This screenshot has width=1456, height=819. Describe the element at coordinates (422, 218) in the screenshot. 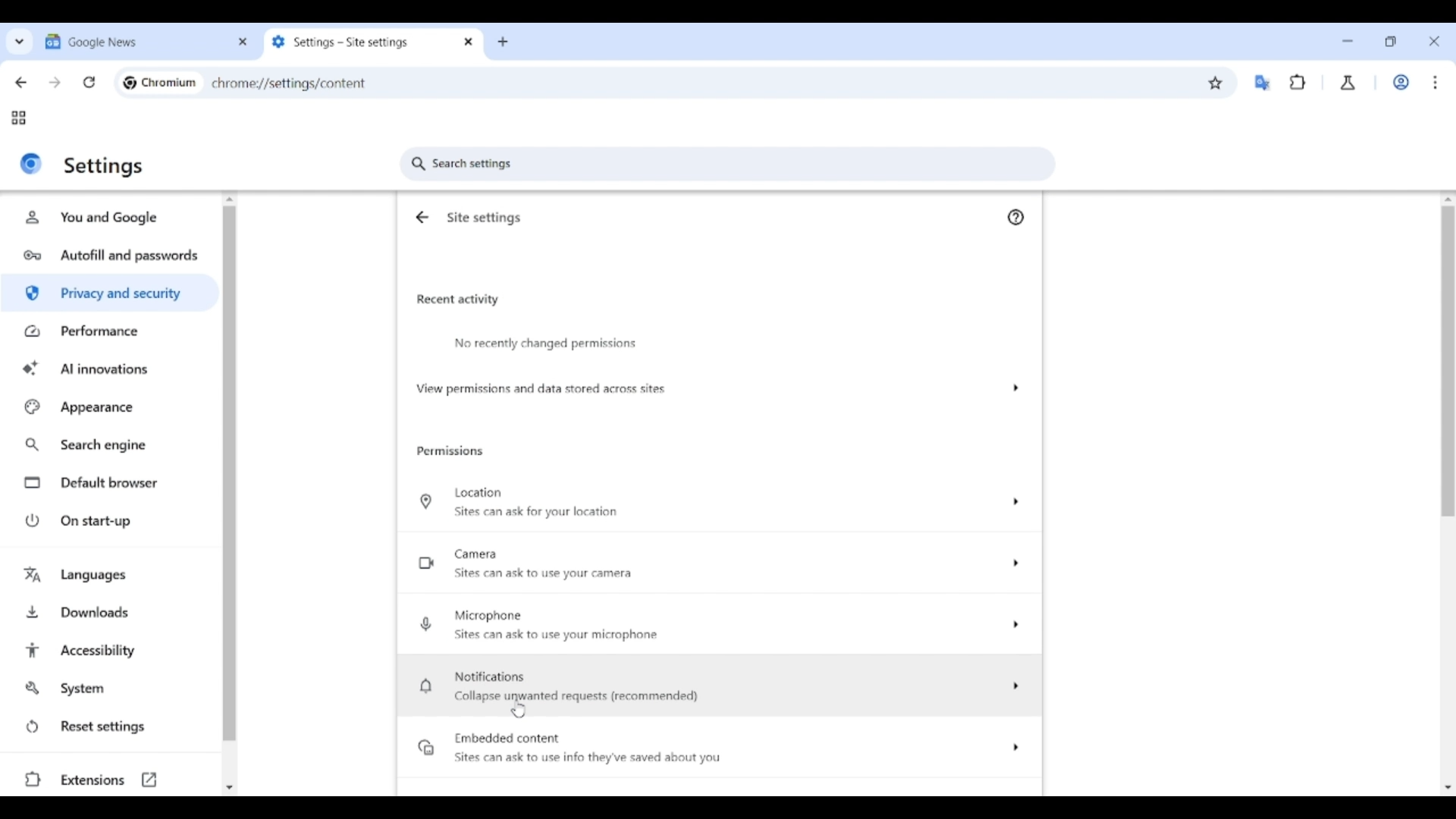

I see `Go back to Privacy and security settings` at that location.